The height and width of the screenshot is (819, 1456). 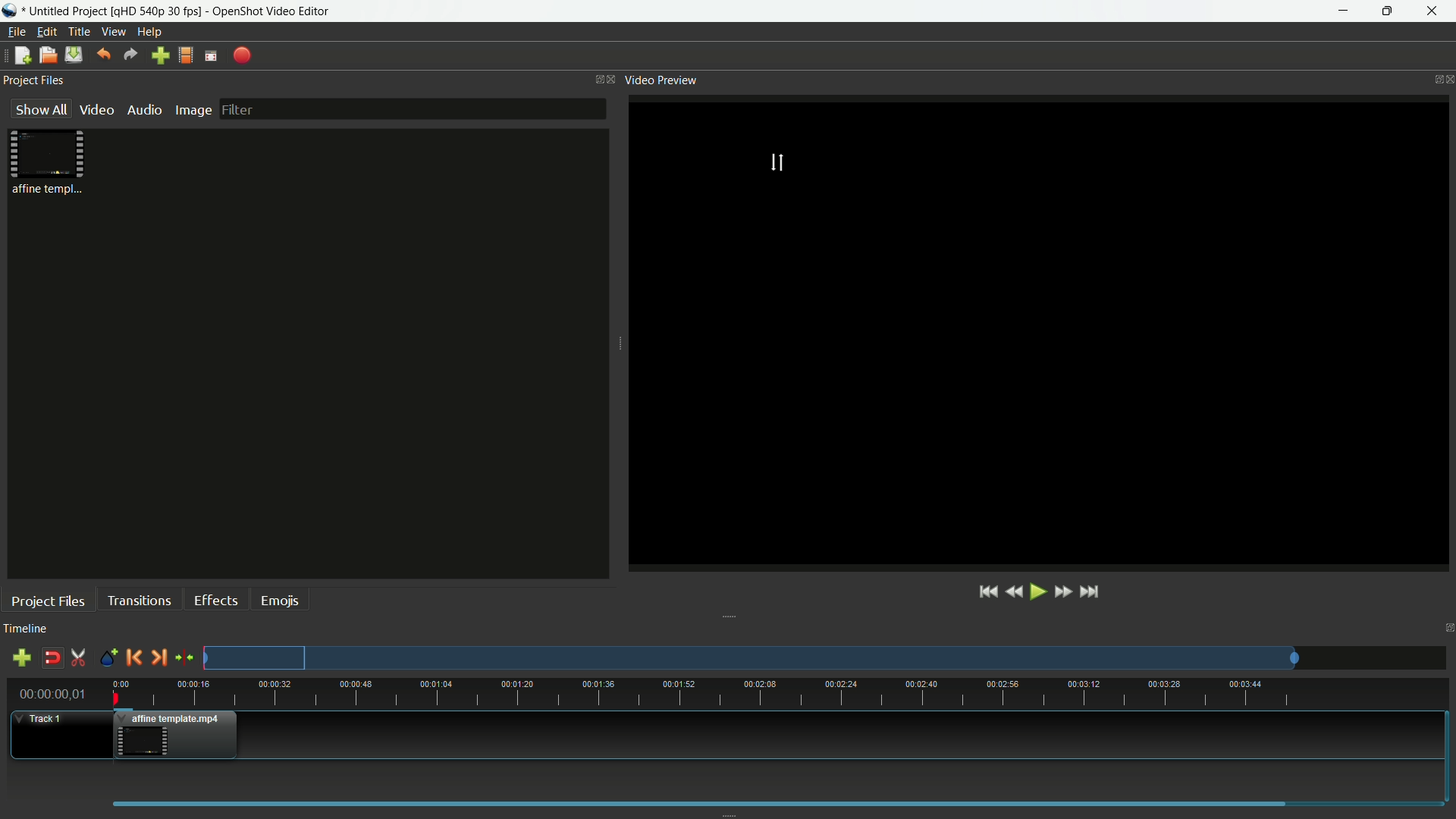 I want to click on new file, so click(x=22, y=56).